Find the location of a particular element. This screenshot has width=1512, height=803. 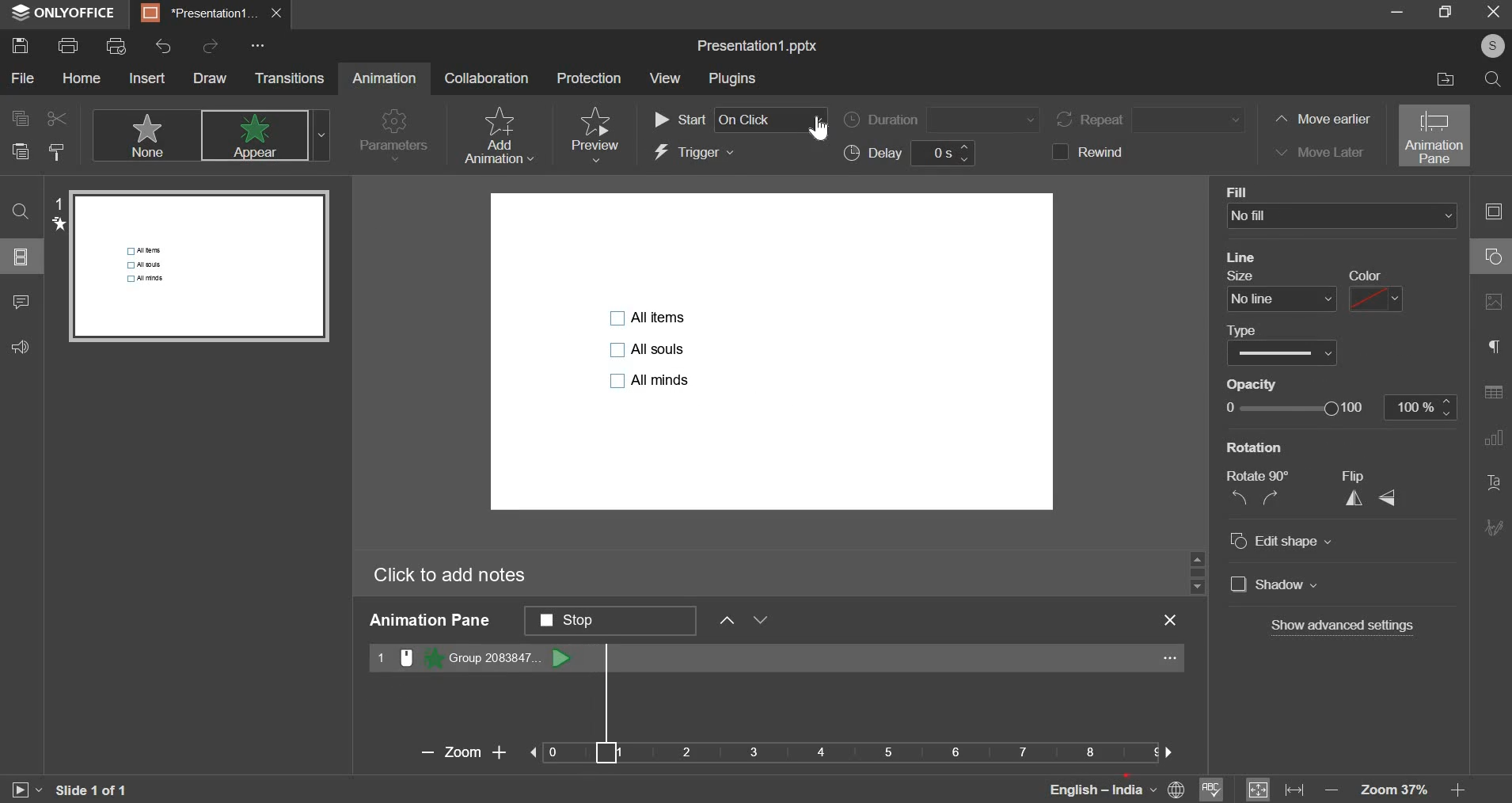

slider is located at coordinates (1196, 571).